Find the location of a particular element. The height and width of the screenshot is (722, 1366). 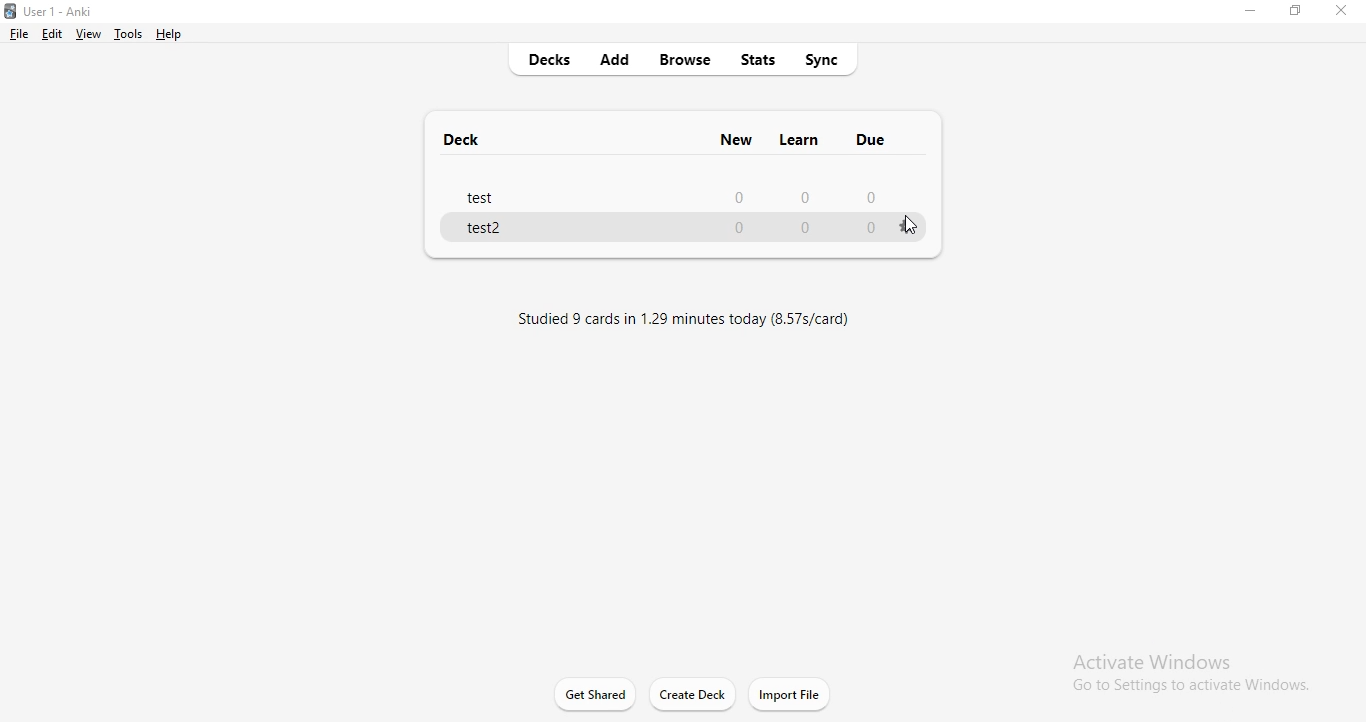

edit is located at coordinates (52, 35).